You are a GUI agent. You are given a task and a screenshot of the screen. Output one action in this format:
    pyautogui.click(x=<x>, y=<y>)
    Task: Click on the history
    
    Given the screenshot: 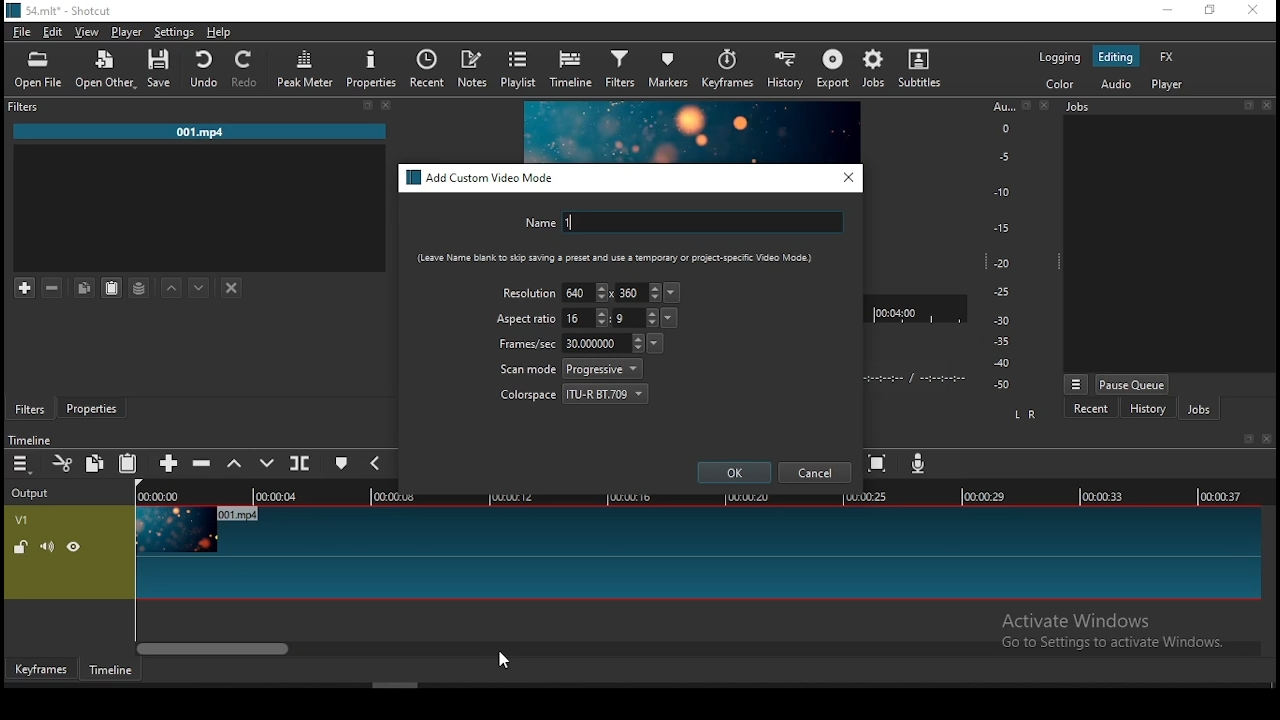 What is the action you would take?
    pyautogui.click(x=1147, y=411)
    